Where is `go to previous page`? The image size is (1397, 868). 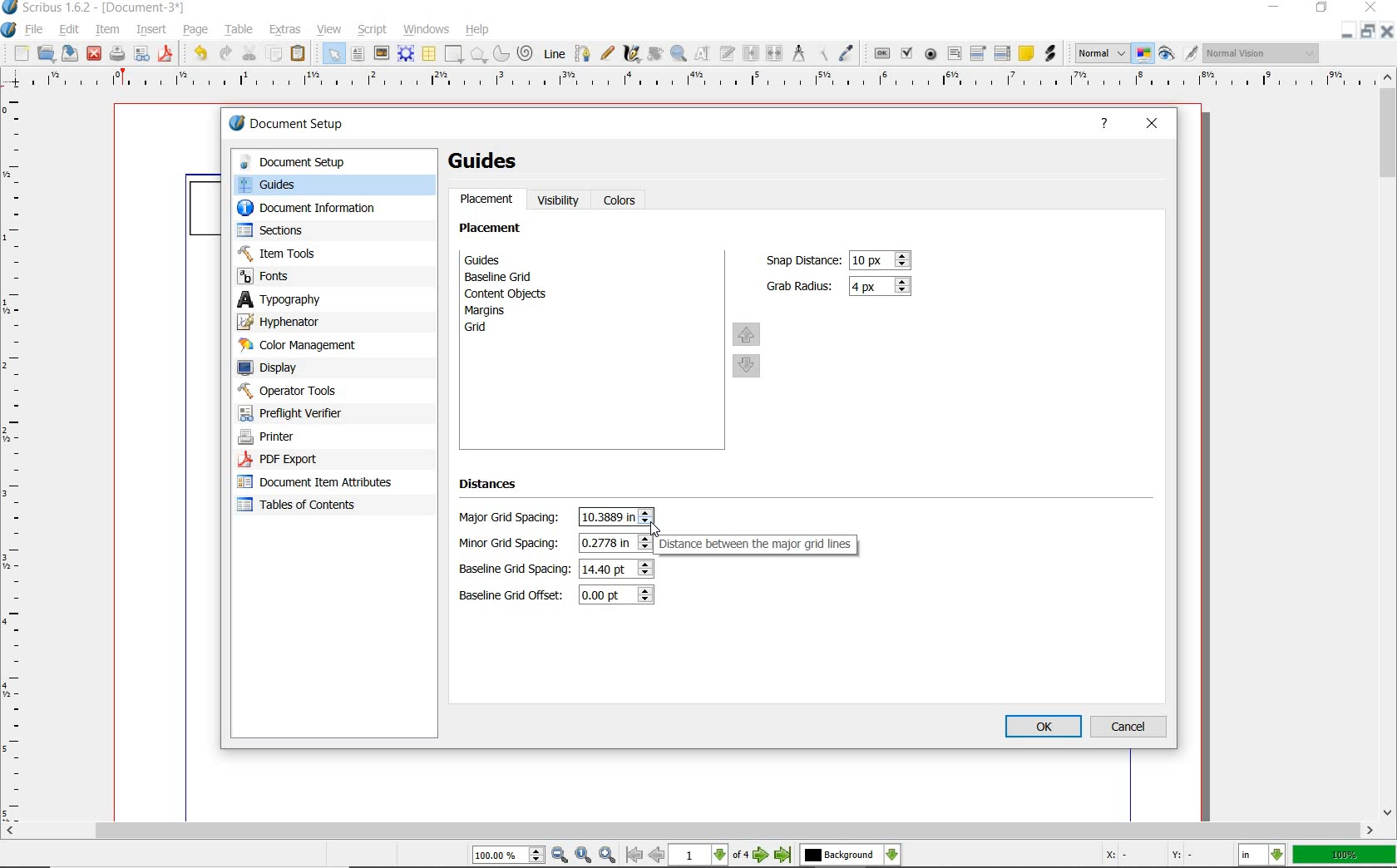 go to previous page is located at coordinates (658, 856).